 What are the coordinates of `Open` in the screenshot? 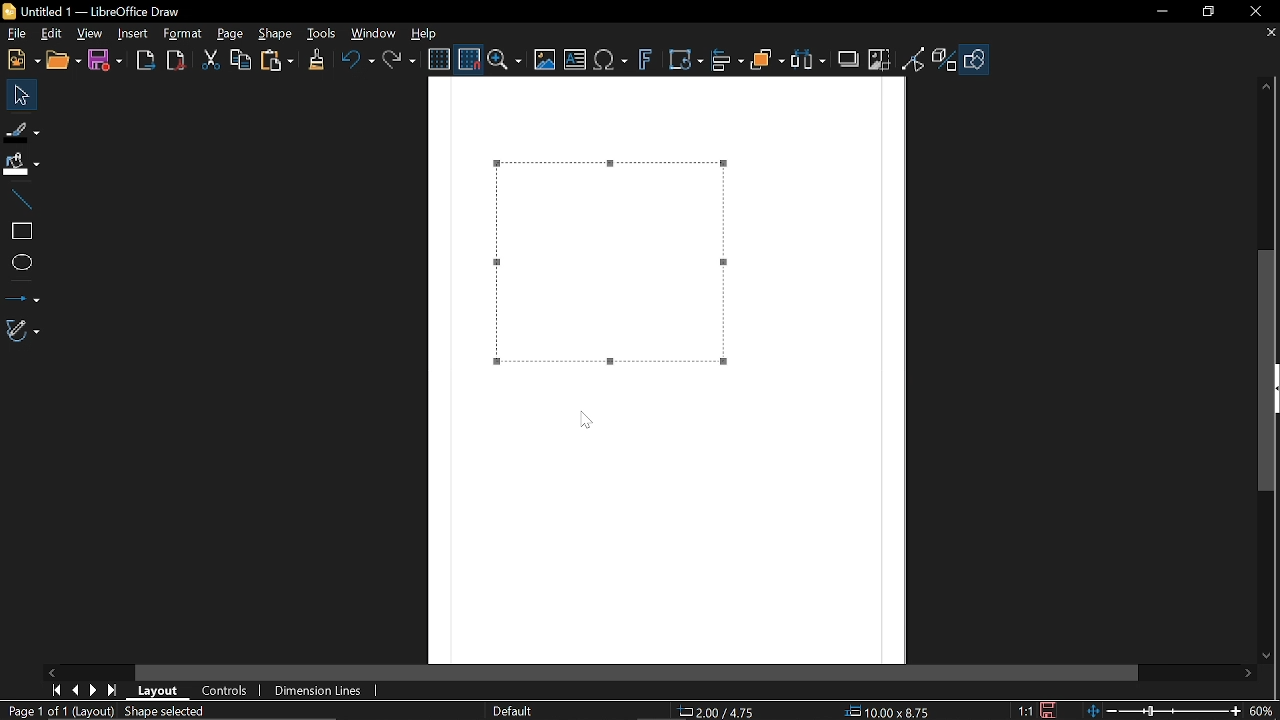 It's located at (62, 61).